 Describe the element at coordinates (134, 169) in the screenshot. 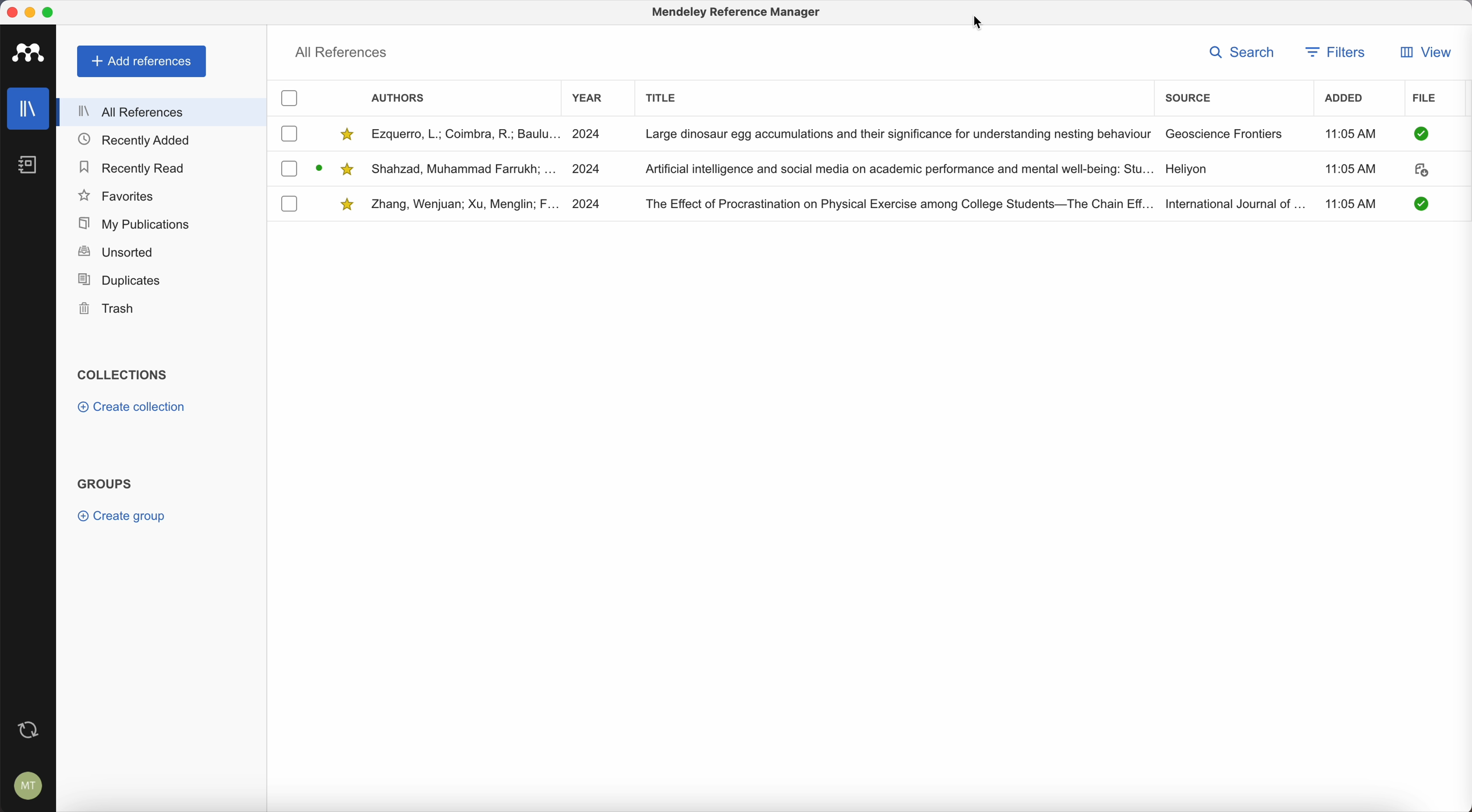

I see `recently read` at that location.